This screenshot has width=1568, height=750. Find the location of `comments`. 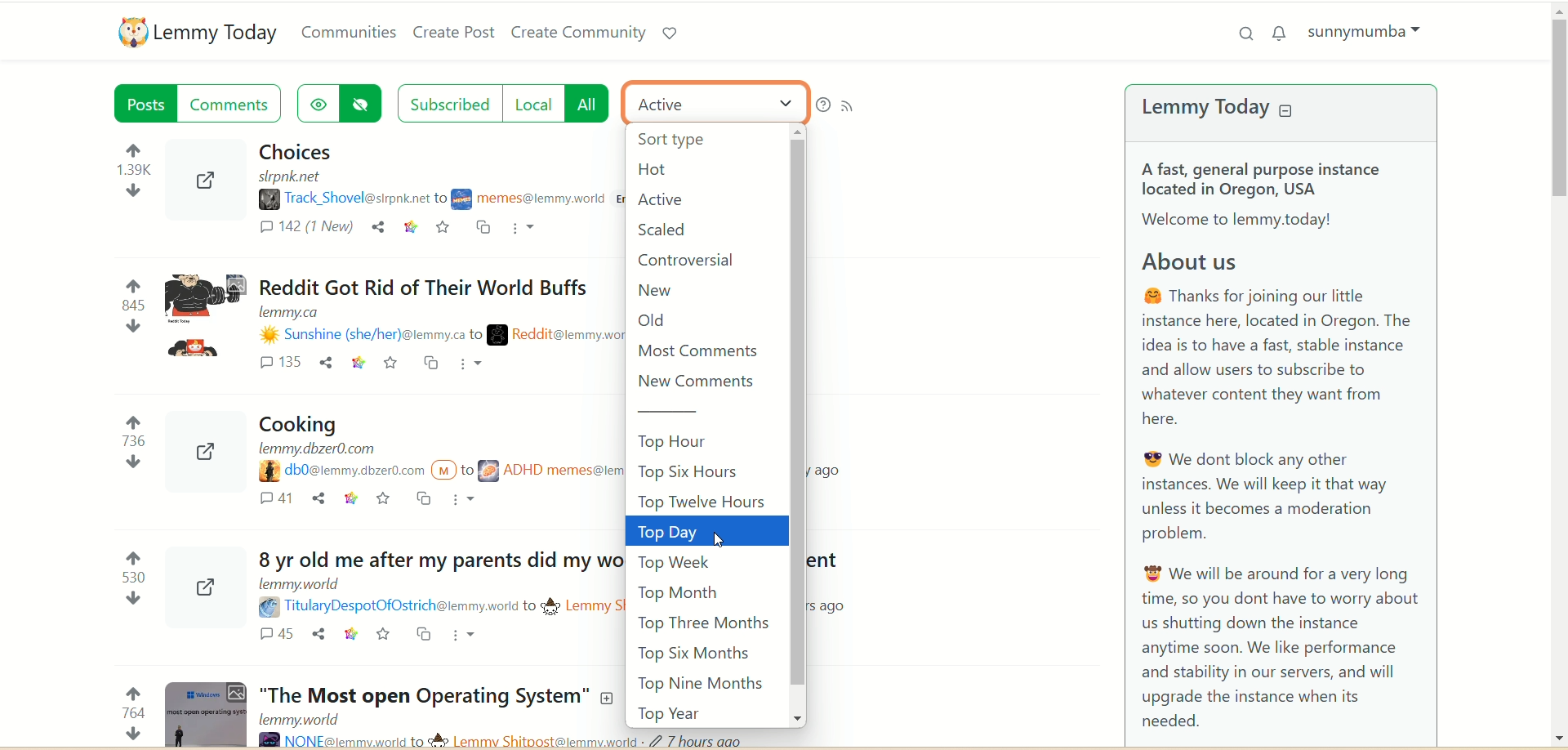

comments is located at coordinates (234, 104).